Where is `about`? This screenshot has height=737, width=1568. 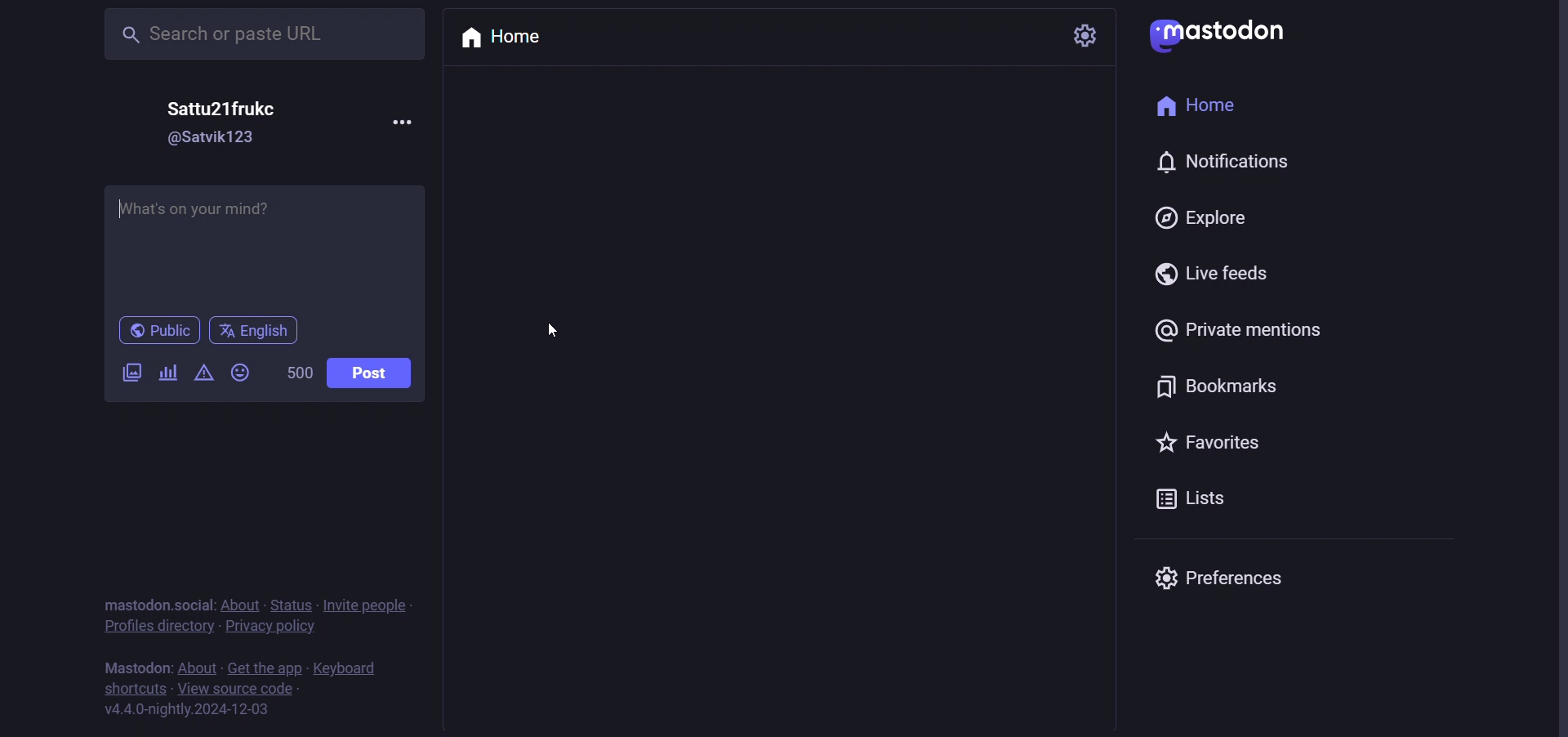
about is located at coordinates (238, 604).